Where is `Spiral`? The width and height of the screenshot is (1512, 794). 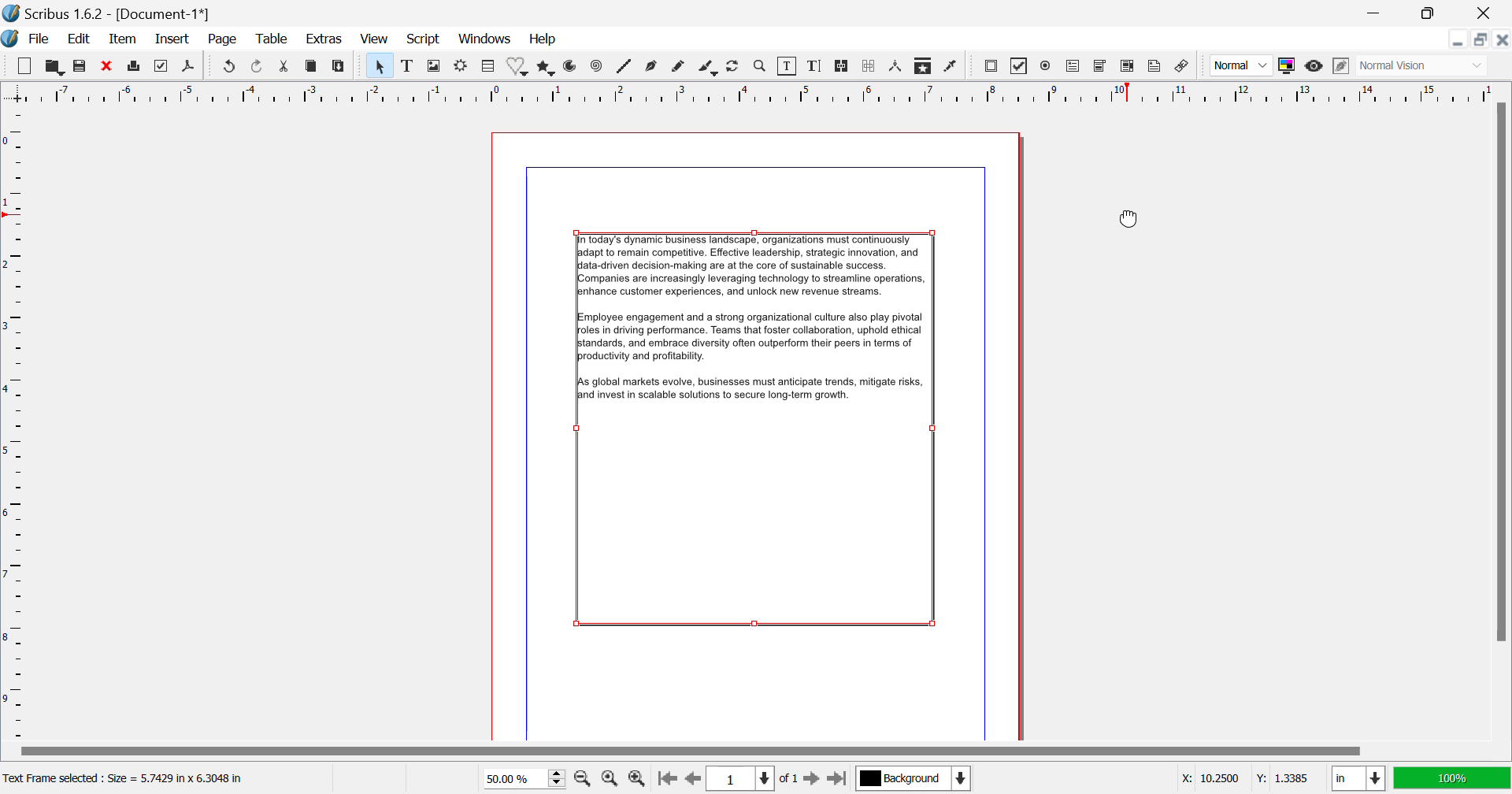
Spiral is located at coordinates (595, 66).